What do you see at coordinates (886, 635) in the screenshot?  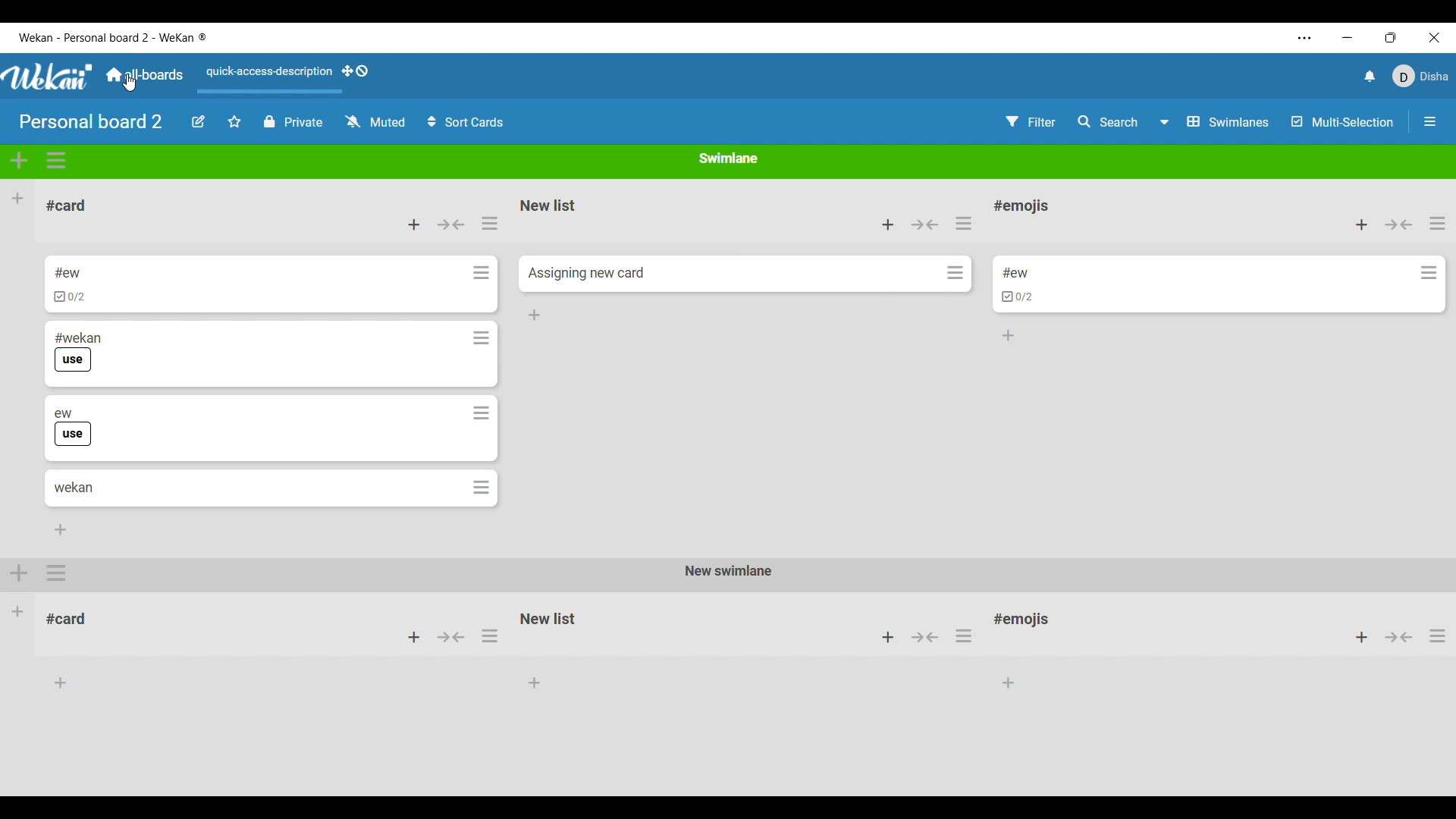 I see `add` at bounding box center [886, 635].